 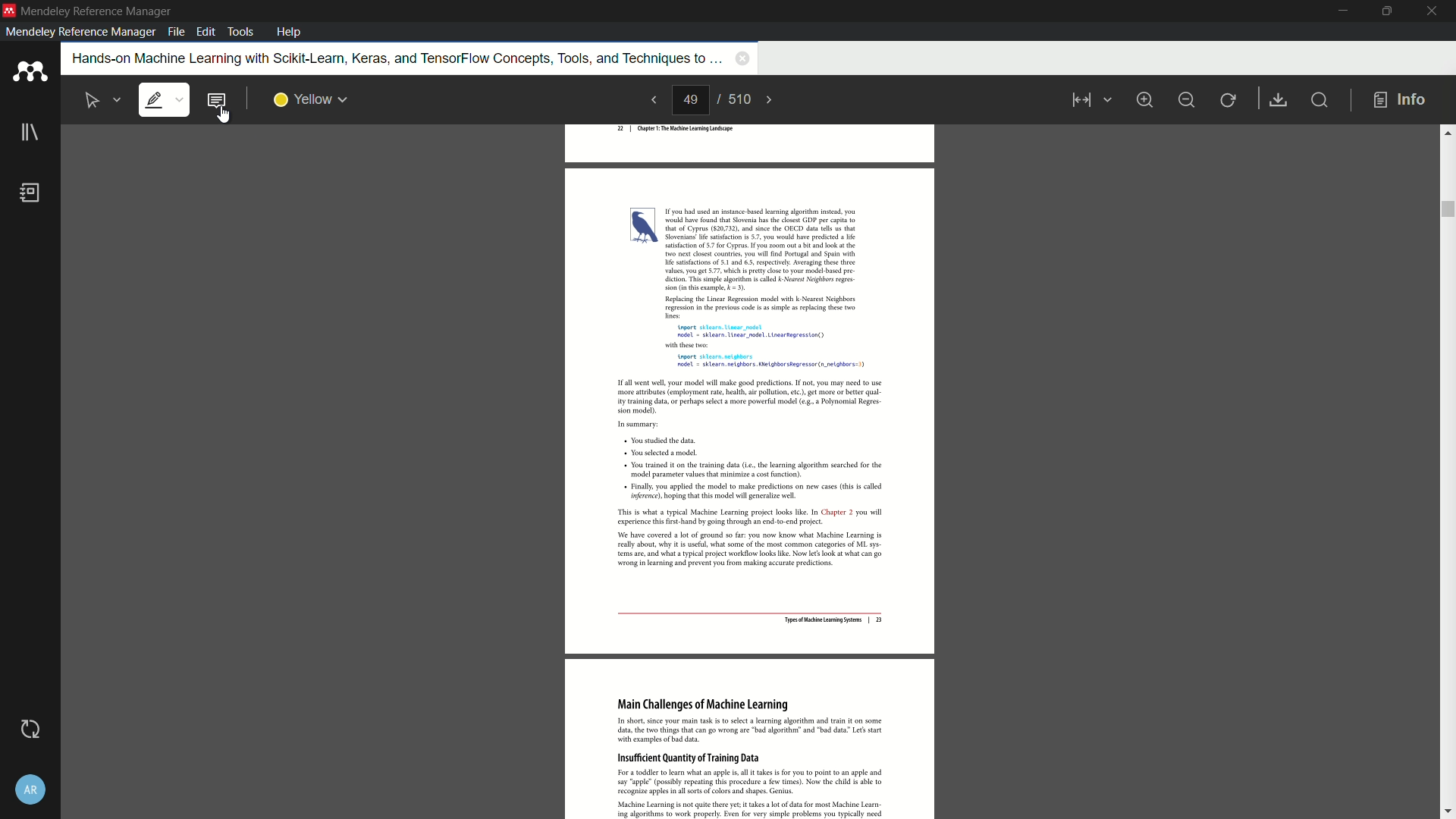 What do you see at coordinates (309, 99) in the screenshot?
I see `text highlight color` at bounding box center [309, 99].